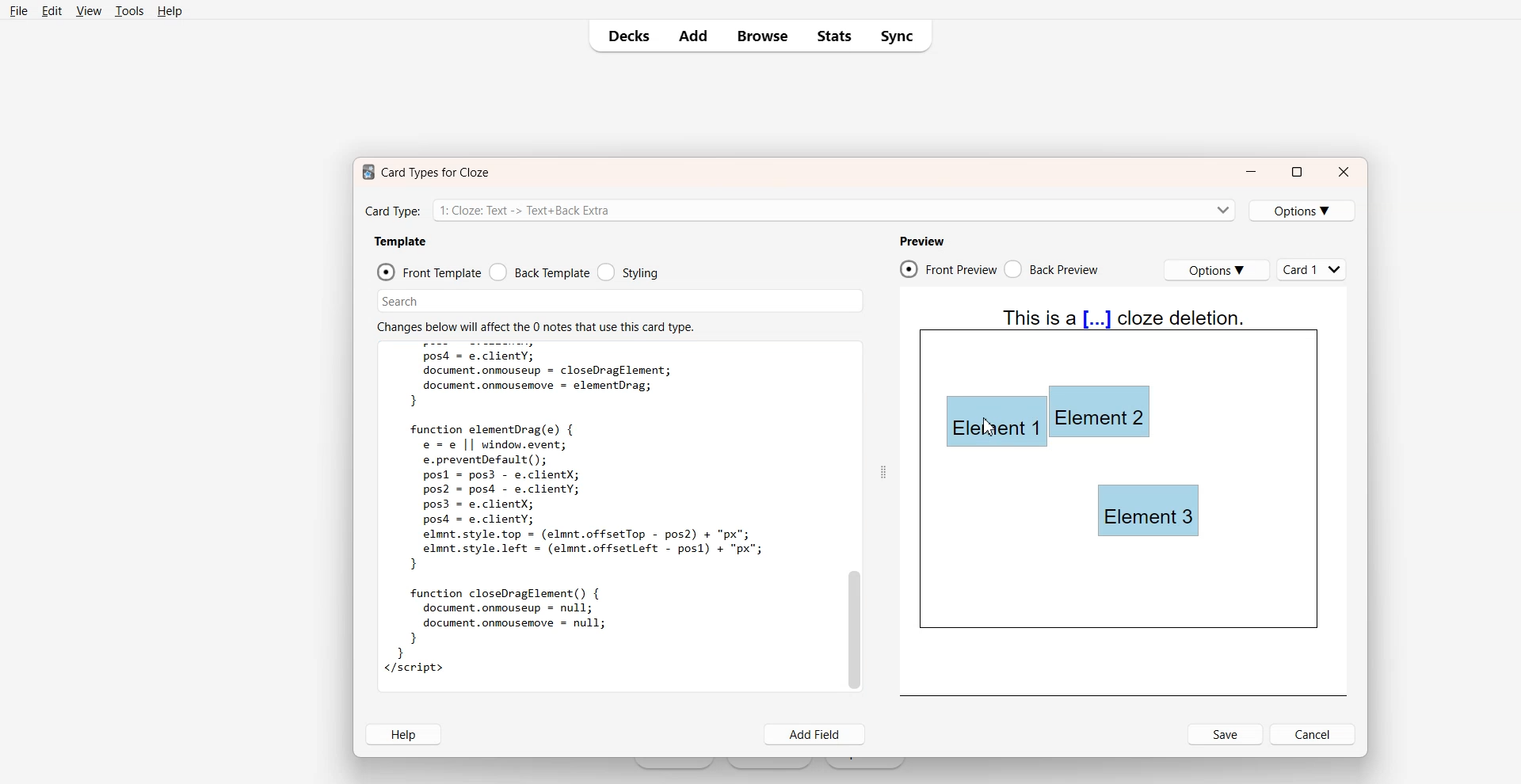  What do you see at coordinates (535, 325) in the screenshot?
I see `Text 2` at bounding box center [535, 325].